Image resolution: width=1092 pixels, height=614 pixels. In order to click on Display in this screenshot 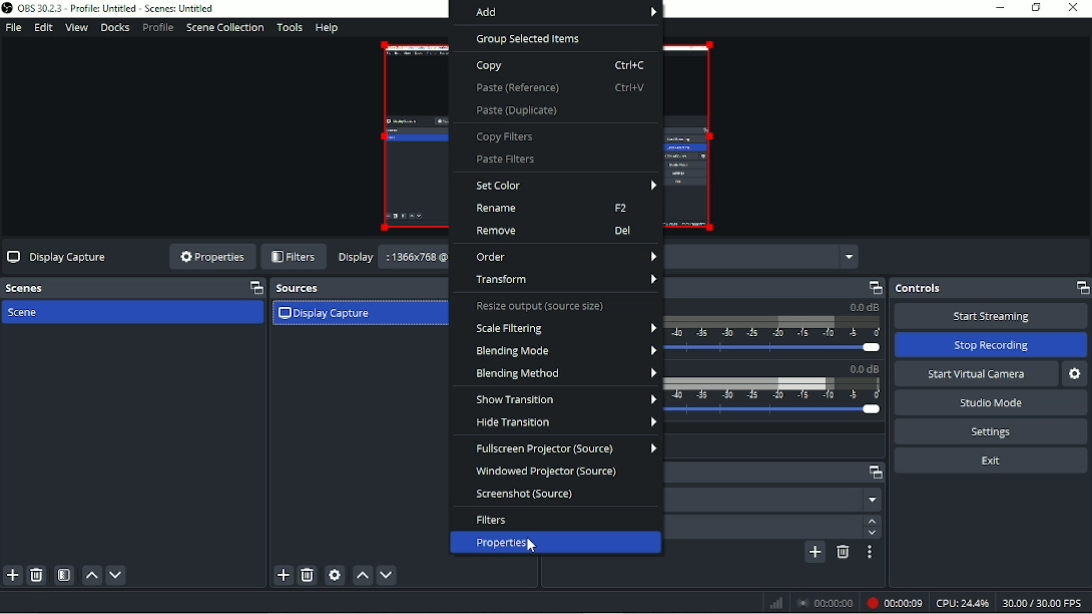, I will do `click(356, 256)`.